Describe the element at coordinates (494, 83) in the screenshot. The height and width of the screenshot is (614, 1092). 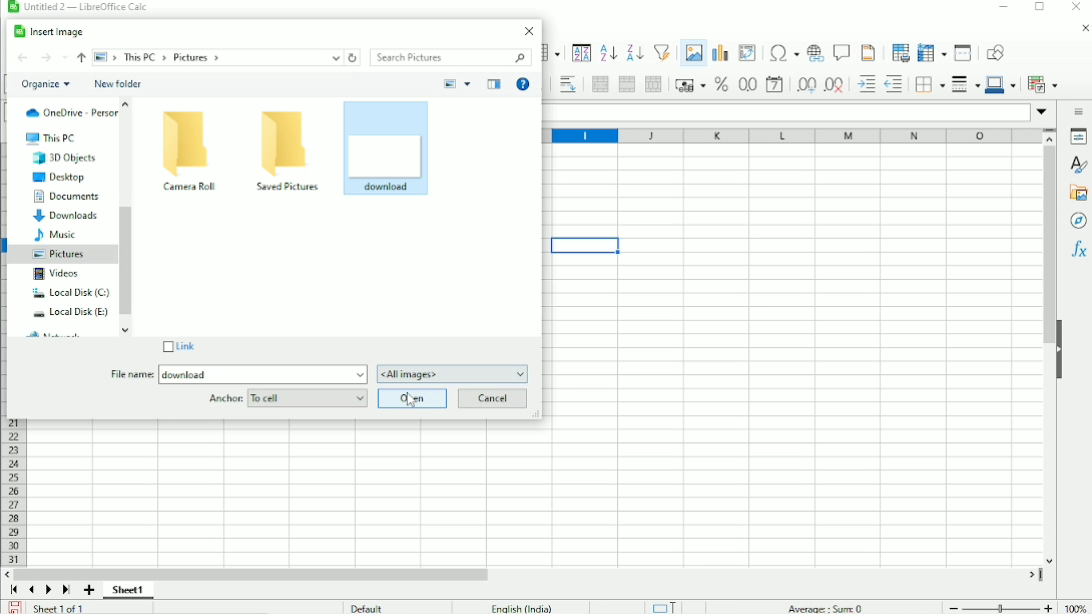
I see `Show the preview pane` at that location.